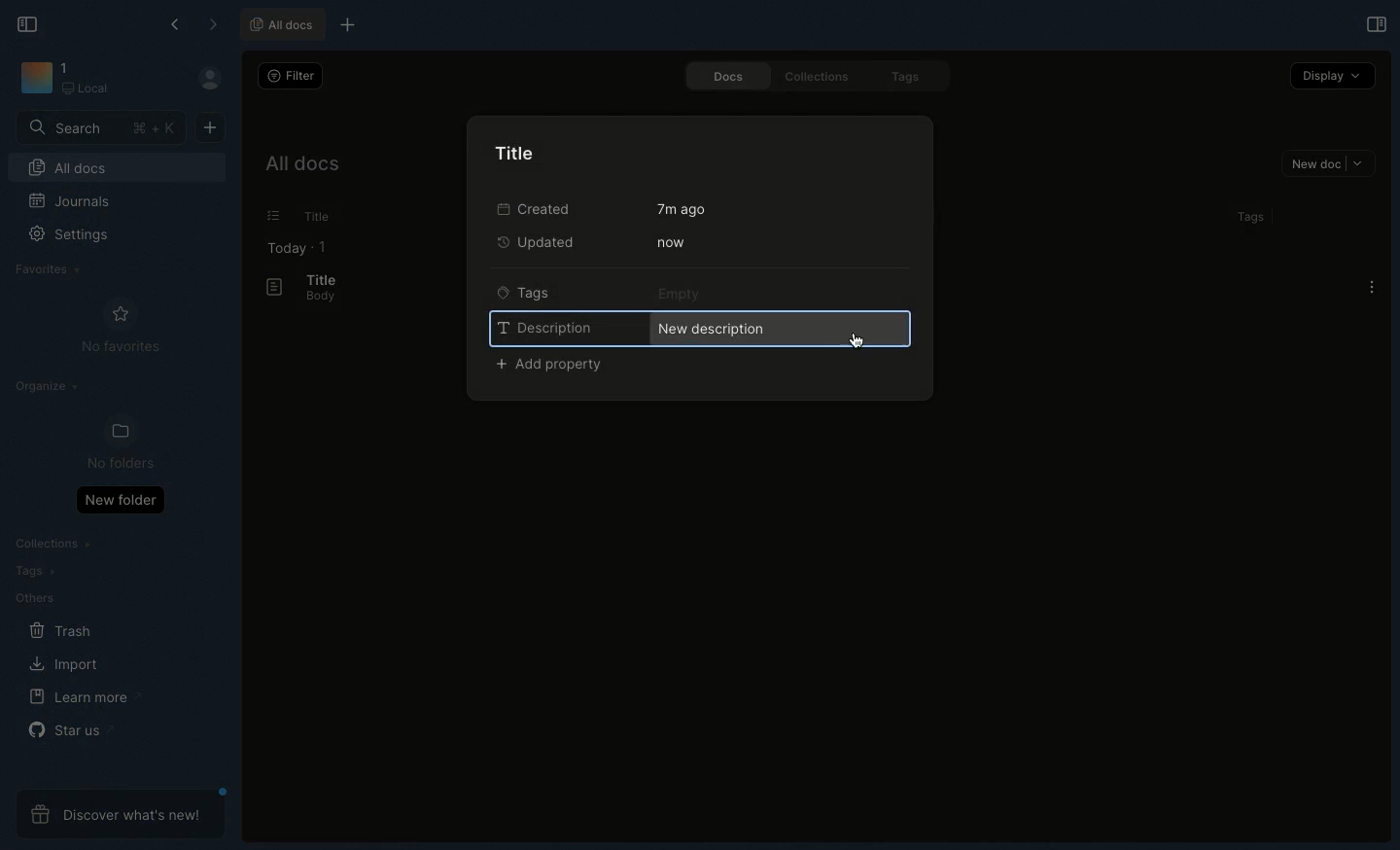 Image resolution: width=1400 pixels, height=850 pixels. I want to click on Organize, so click(50, 389).